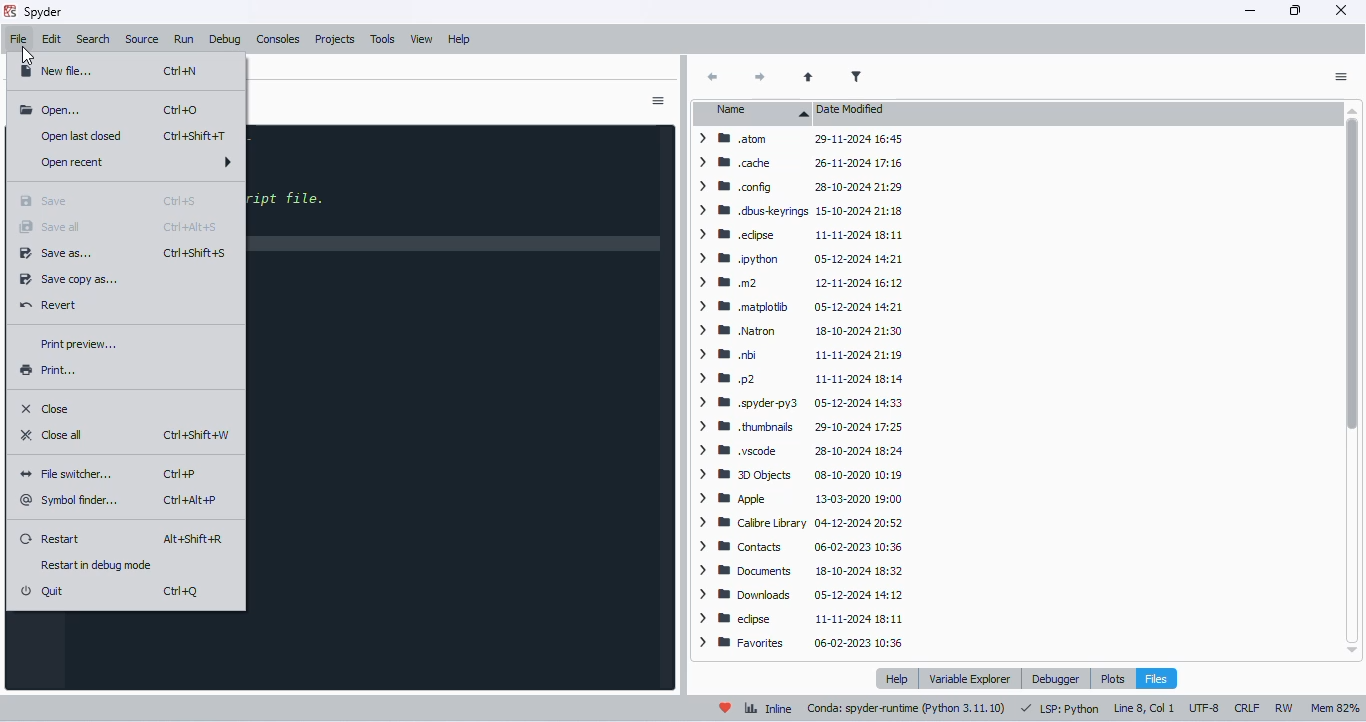  Describe the element at coordinates (49, 111) in the screenshot. I see `open` at that location.